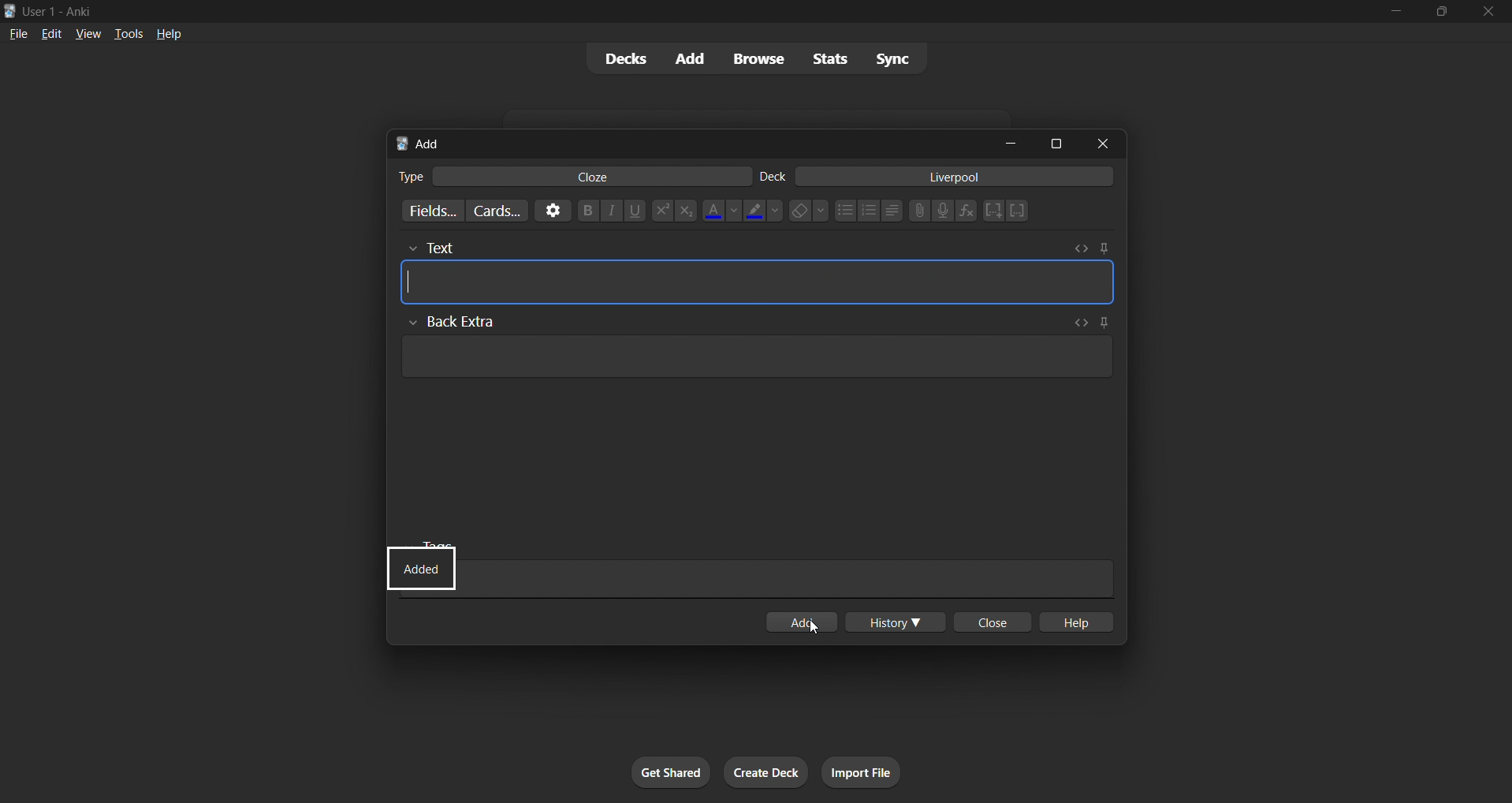 Image resolution: width=1512 pixels, height=803 pixels. Describe the element at coordinates (172, 37) in the screenshot. I see `help` at that location.